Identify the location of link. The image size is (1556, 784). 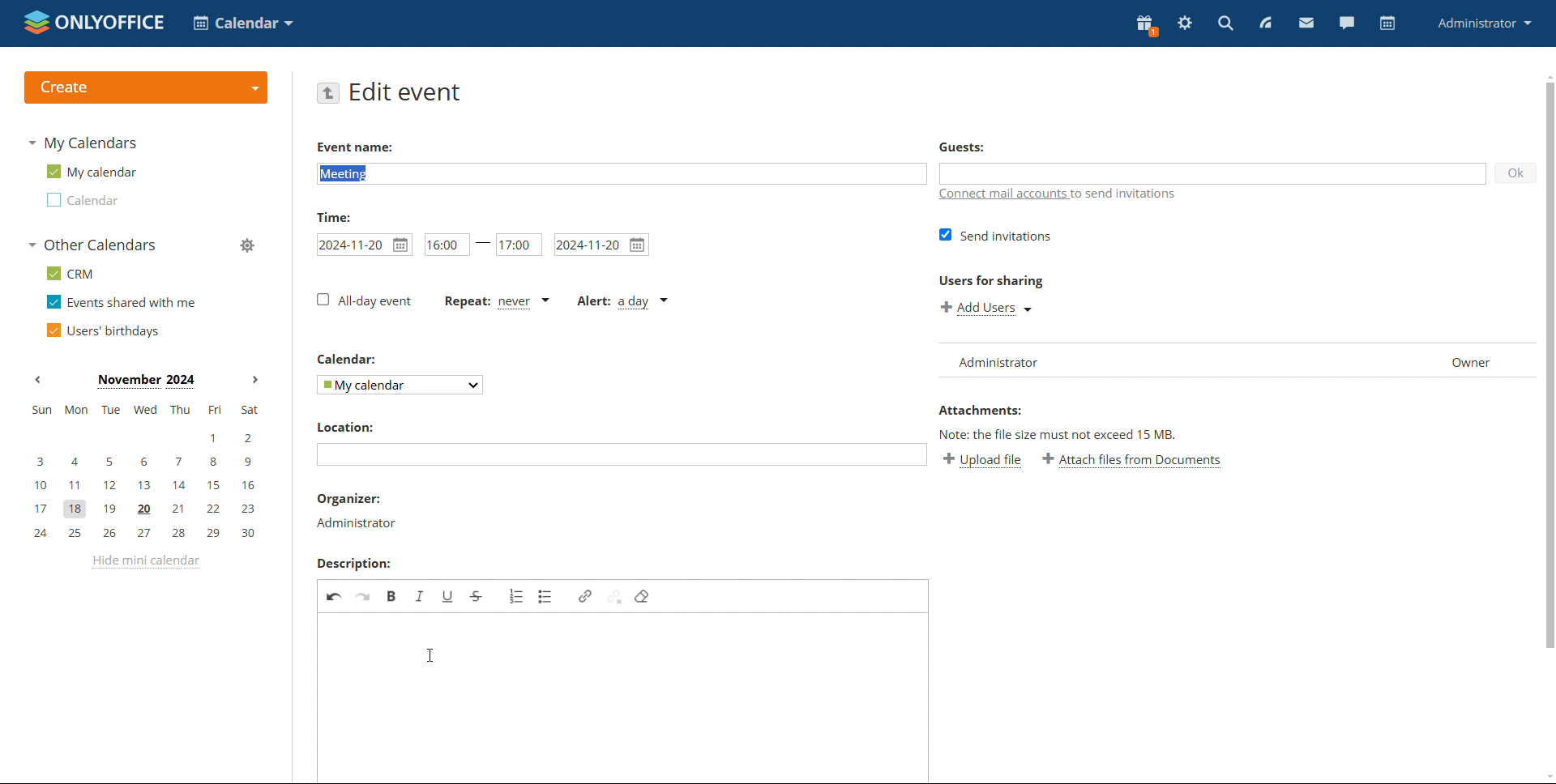
(586, 596).